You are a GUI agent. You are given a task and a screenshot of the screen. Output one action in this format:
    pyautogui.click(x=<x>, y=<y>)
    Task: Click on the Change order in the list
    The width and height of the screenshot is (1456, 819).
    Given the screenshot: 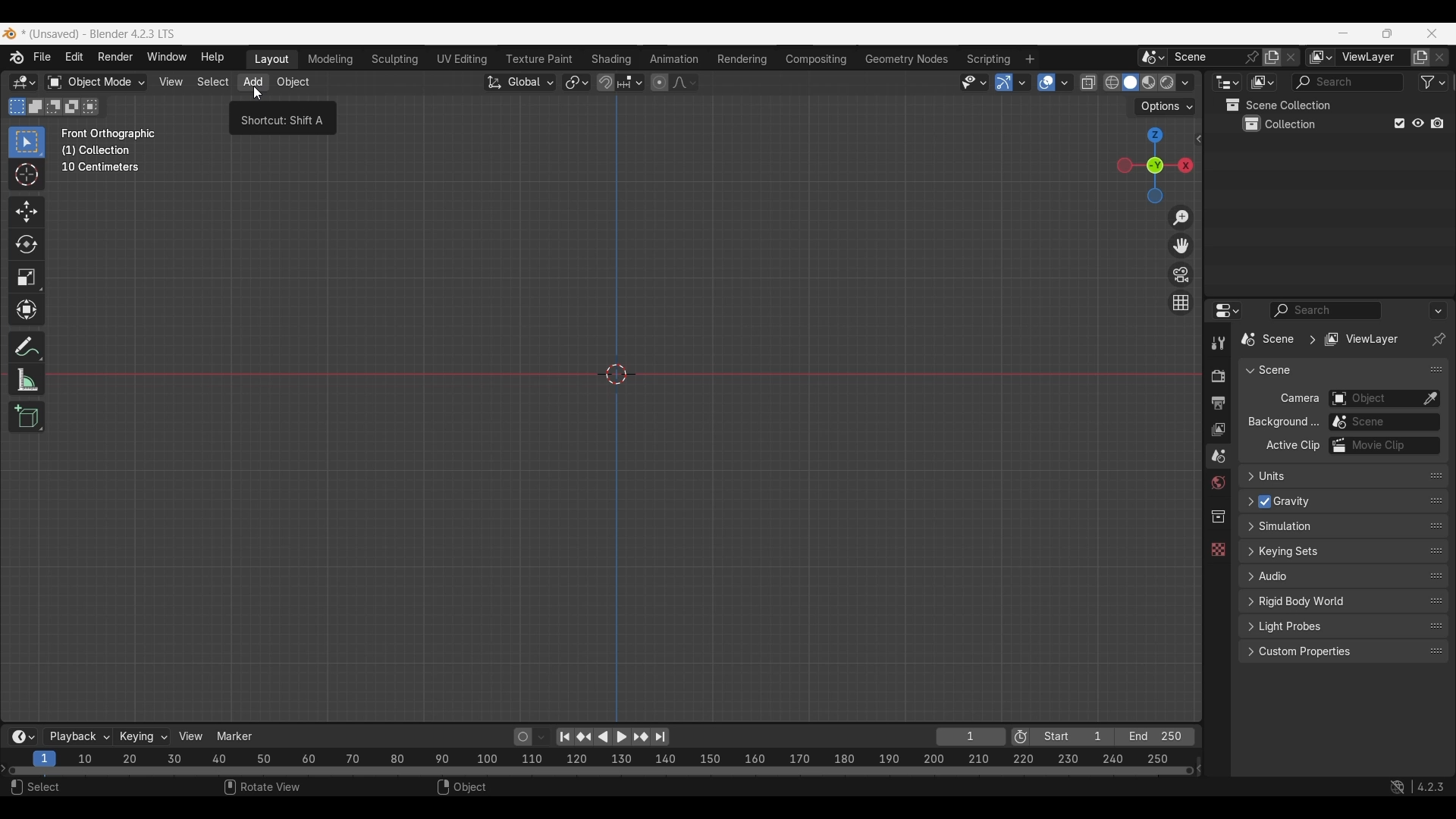 What is the action you would take?
    pyautogui.click(x=1436, y=369)
    